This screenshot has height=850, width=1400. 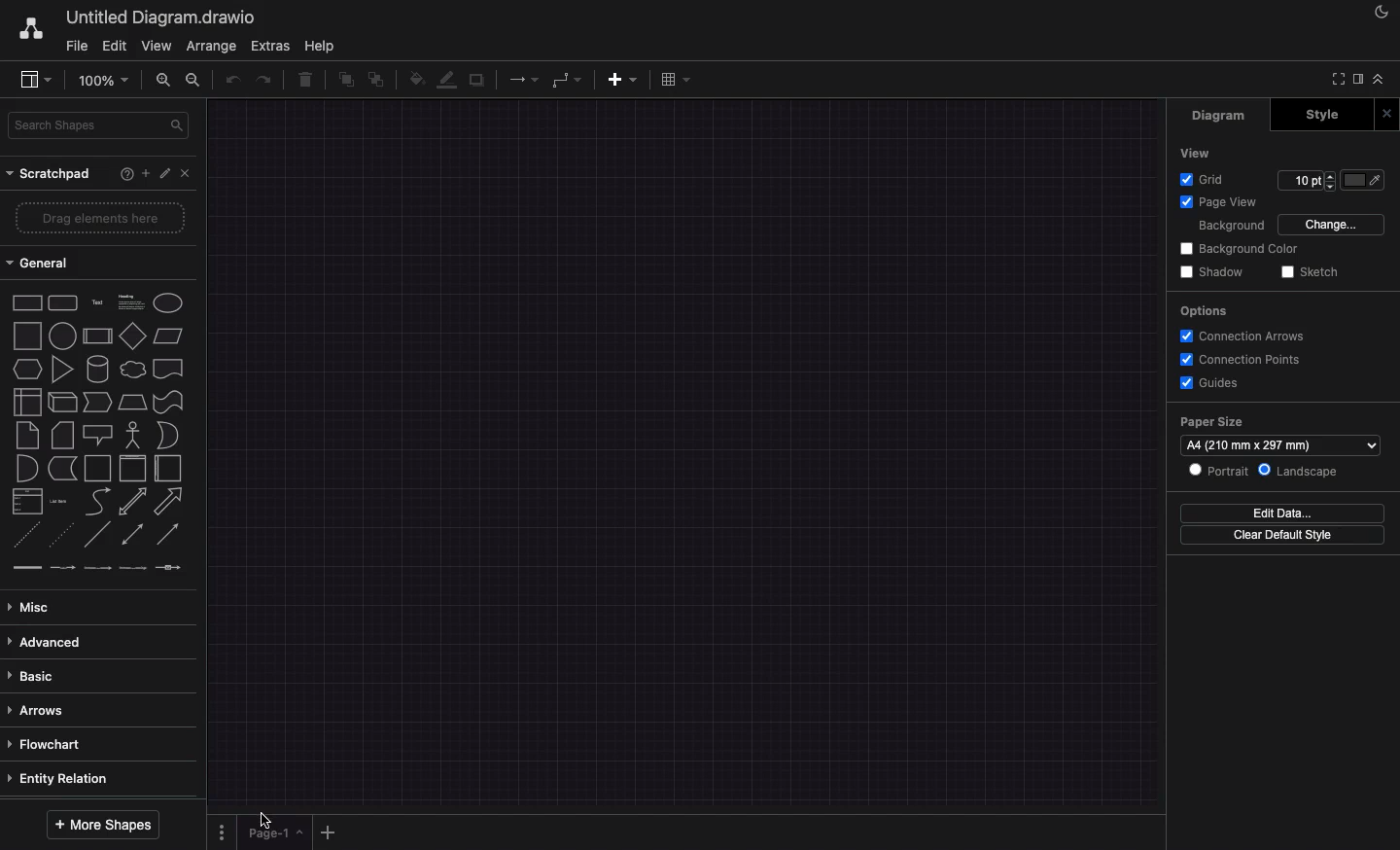 I want to click on line, so click(x=100, y=535).